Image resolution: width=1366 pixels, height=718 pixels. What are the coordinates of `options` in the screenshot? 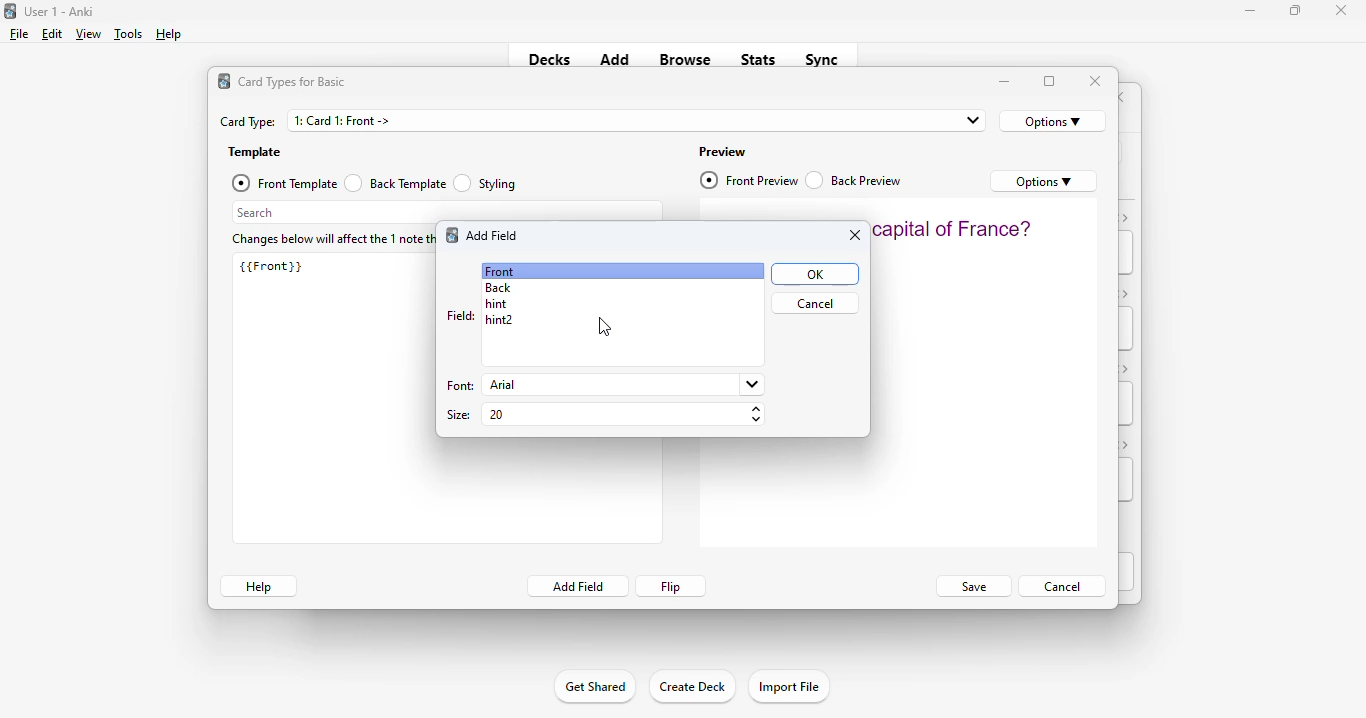 It's located at (1053, 121).